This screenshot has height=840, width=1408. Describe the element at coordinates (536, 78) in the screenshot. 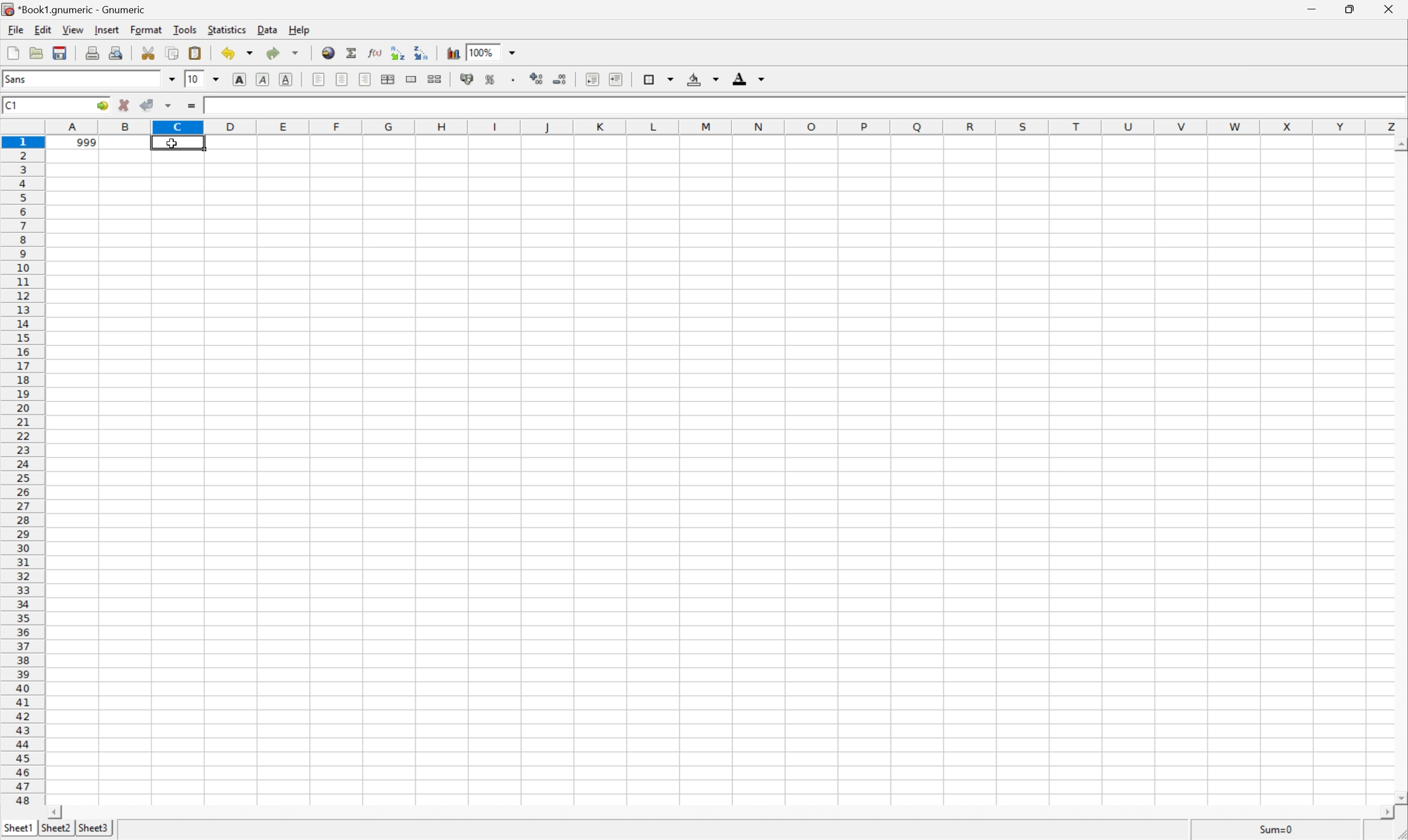

I see `increase number of decimals displayed` at that location.